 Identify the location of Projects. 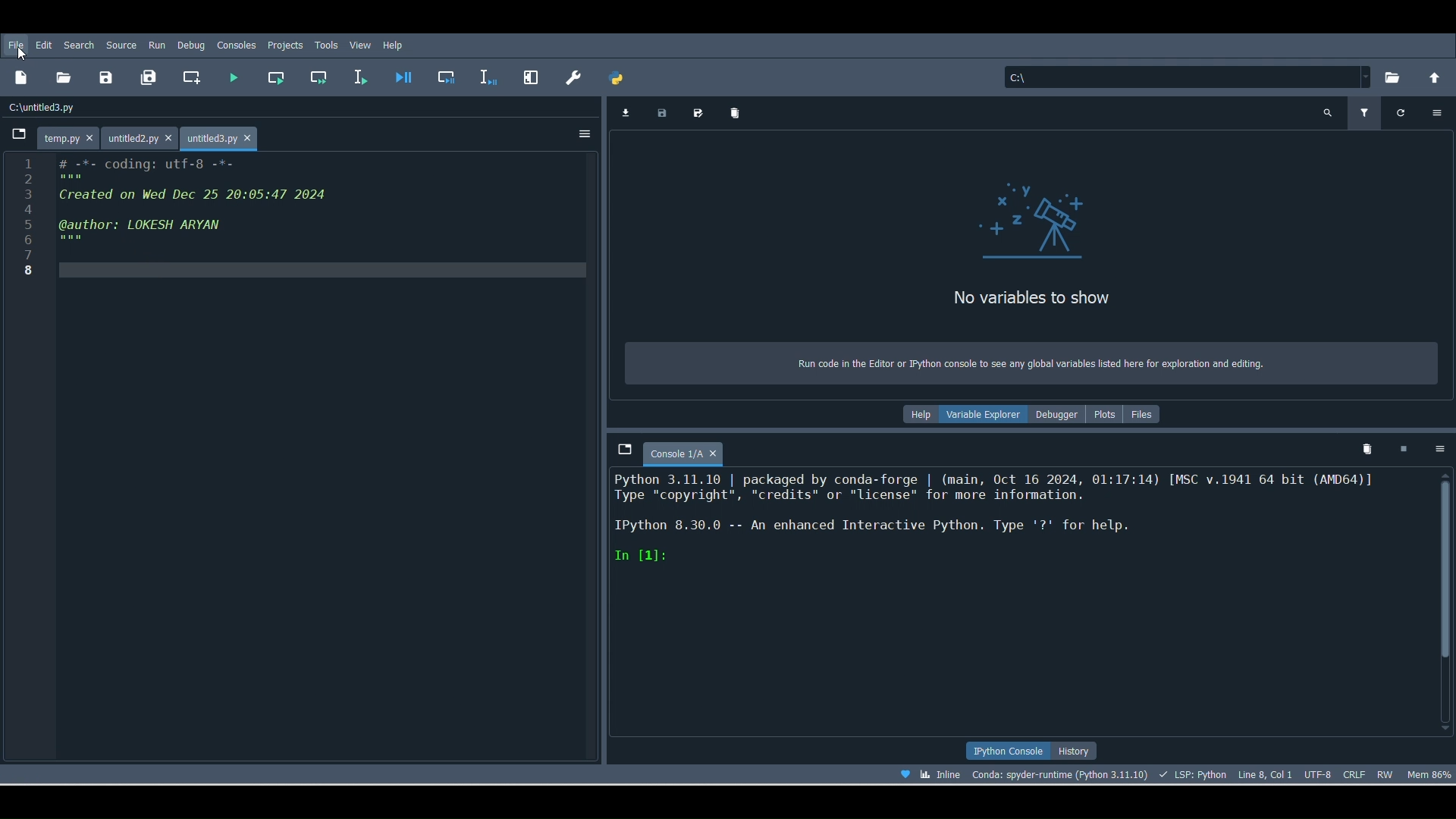
(285, 46).